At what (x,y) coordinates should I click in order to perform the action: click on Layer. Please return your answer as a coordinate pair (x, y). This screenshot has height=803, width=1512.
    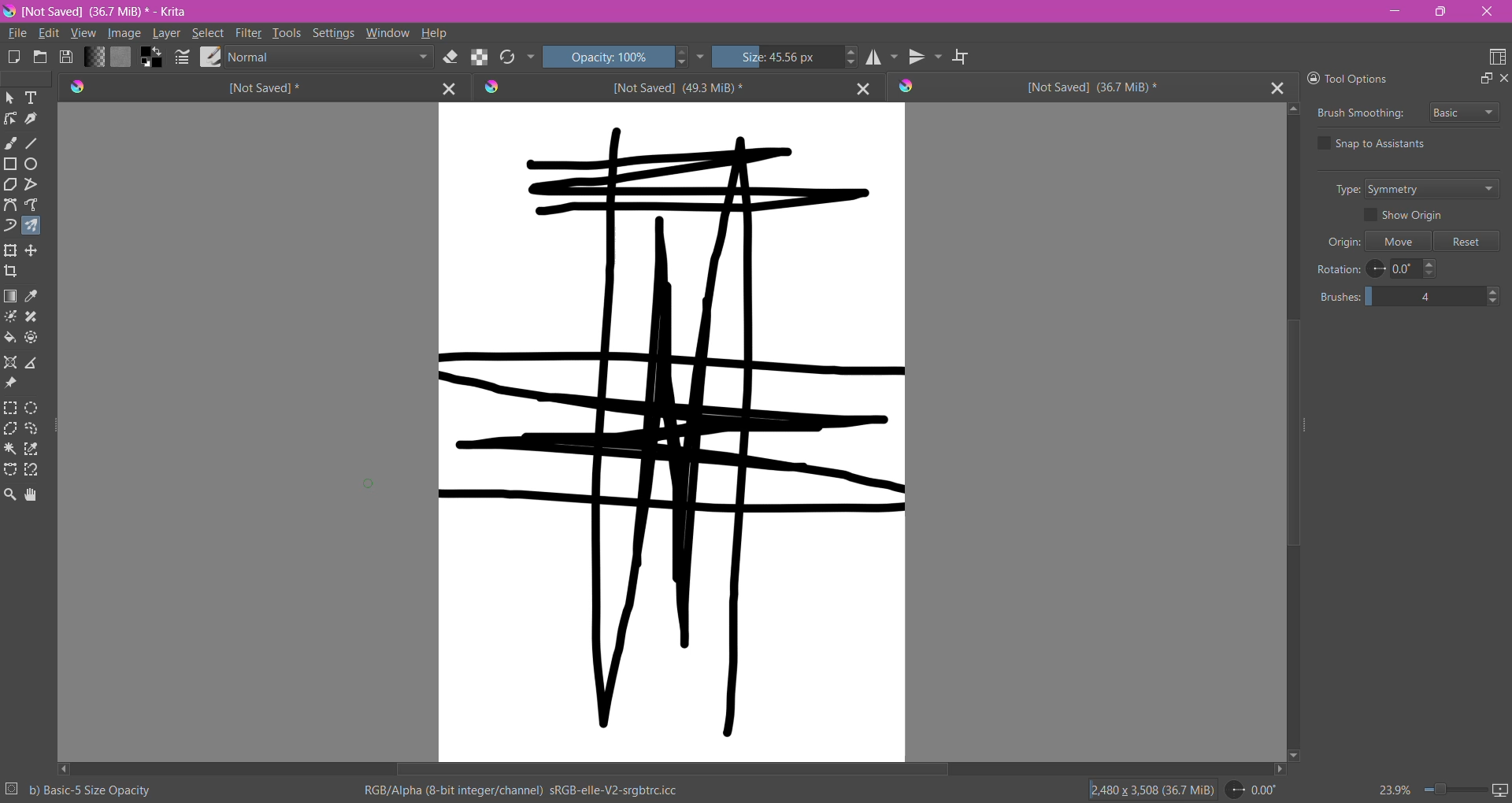
    Looking at the image, I should click on (165, 35).